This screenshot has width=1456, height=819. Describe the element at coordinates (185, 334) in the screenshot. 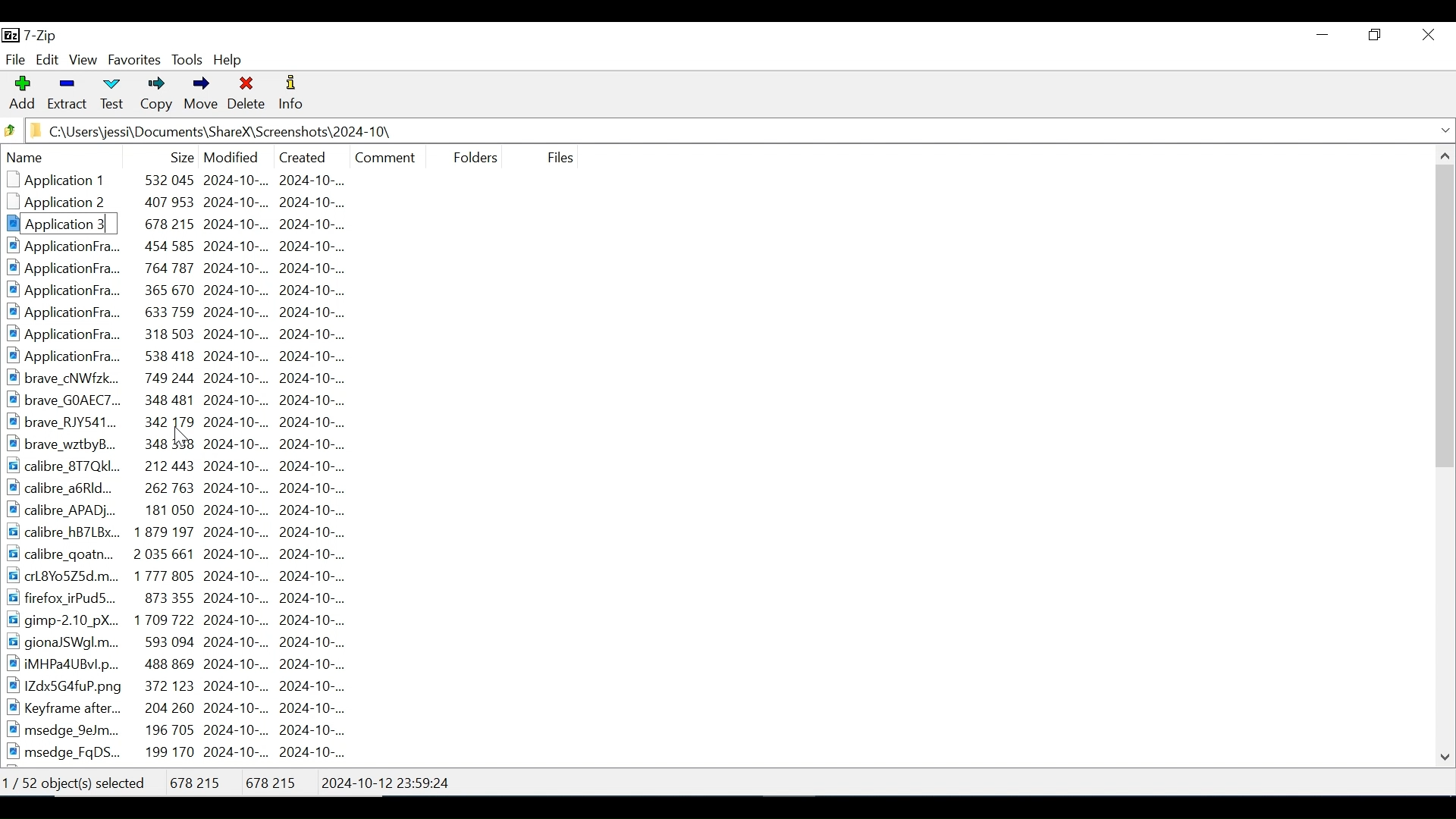

I see `ApplicationFra... 318 503 2024-10-.. 2024-10-...` at that location.